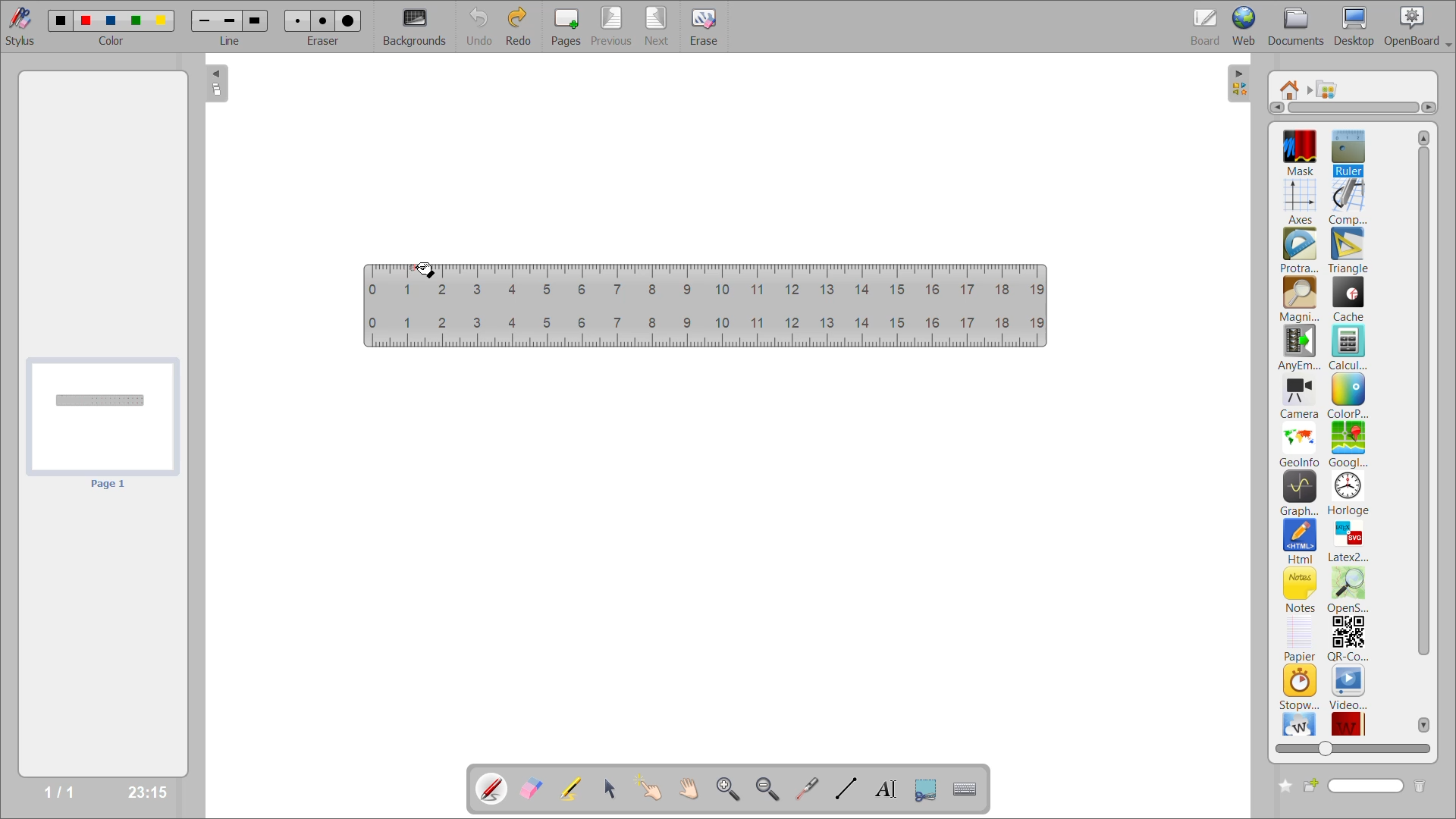 This screenshot has height=819, width=1456. What do you see at coordinates (206, 22) in the screenshot?
I see `line 1` at bounding box center [206, 22].